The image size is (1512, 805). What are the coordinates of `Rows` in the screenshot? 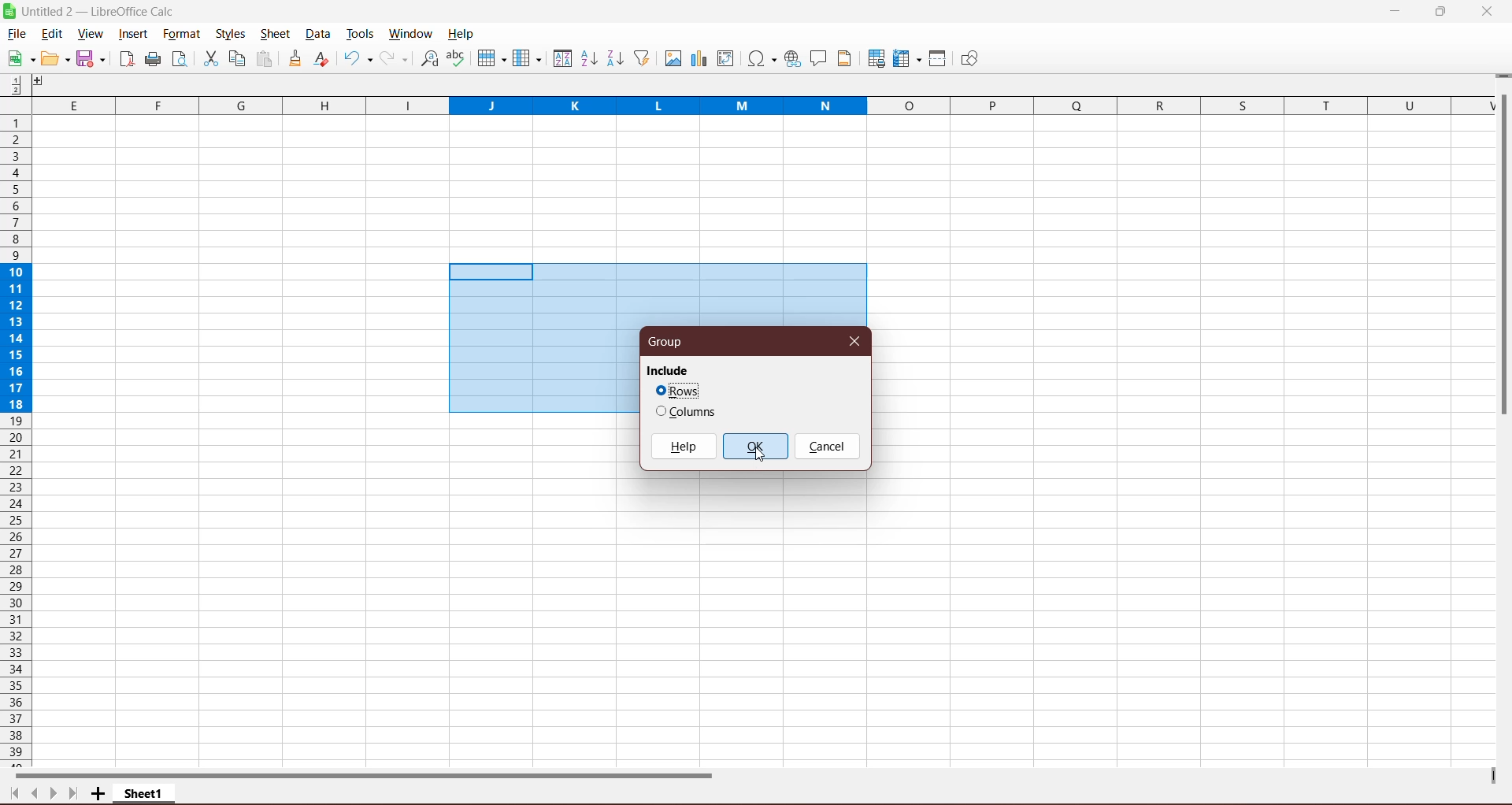 It's located at (14, 441).